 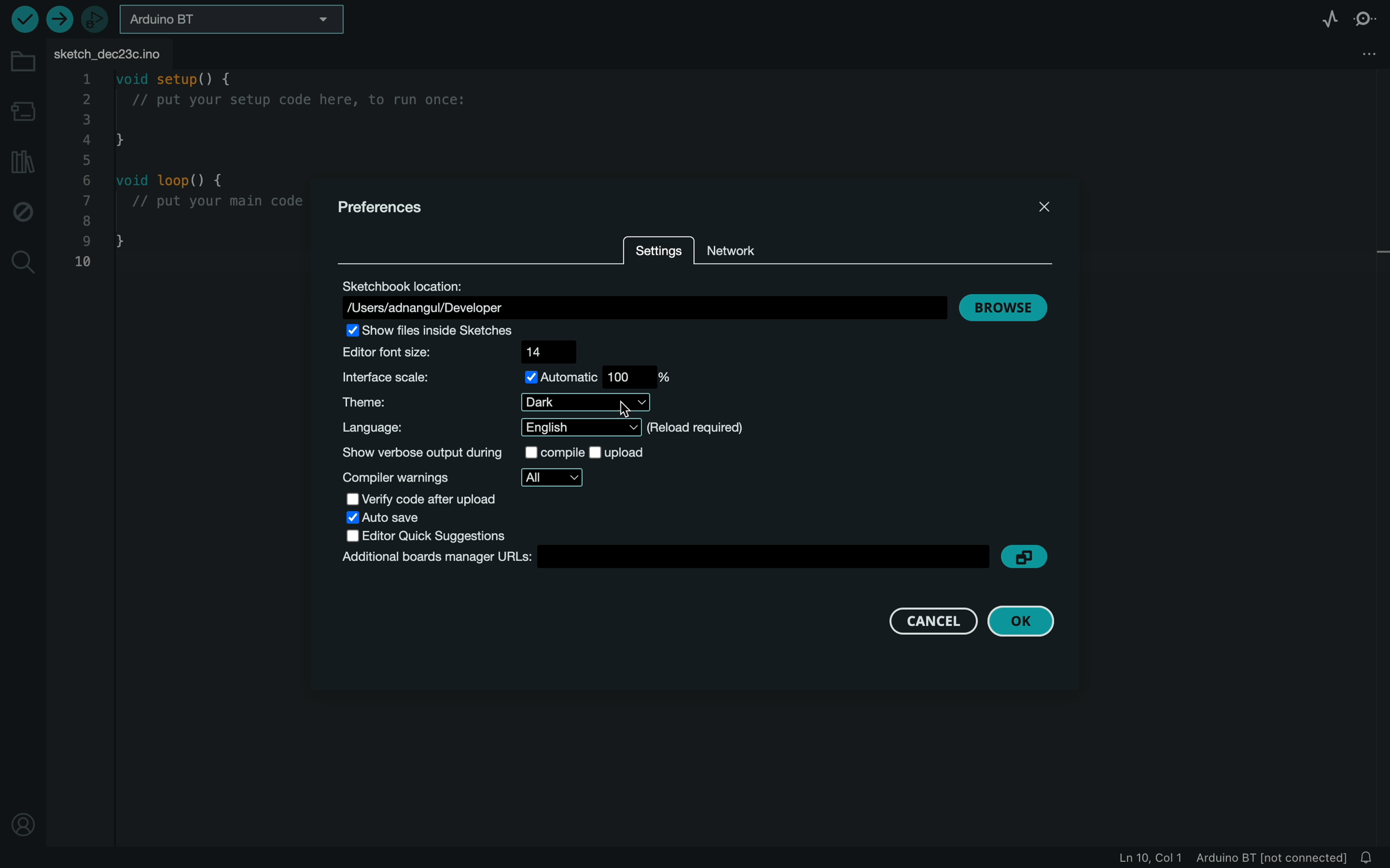 I want to click on serial plotter, so click(x=1323, y=18).